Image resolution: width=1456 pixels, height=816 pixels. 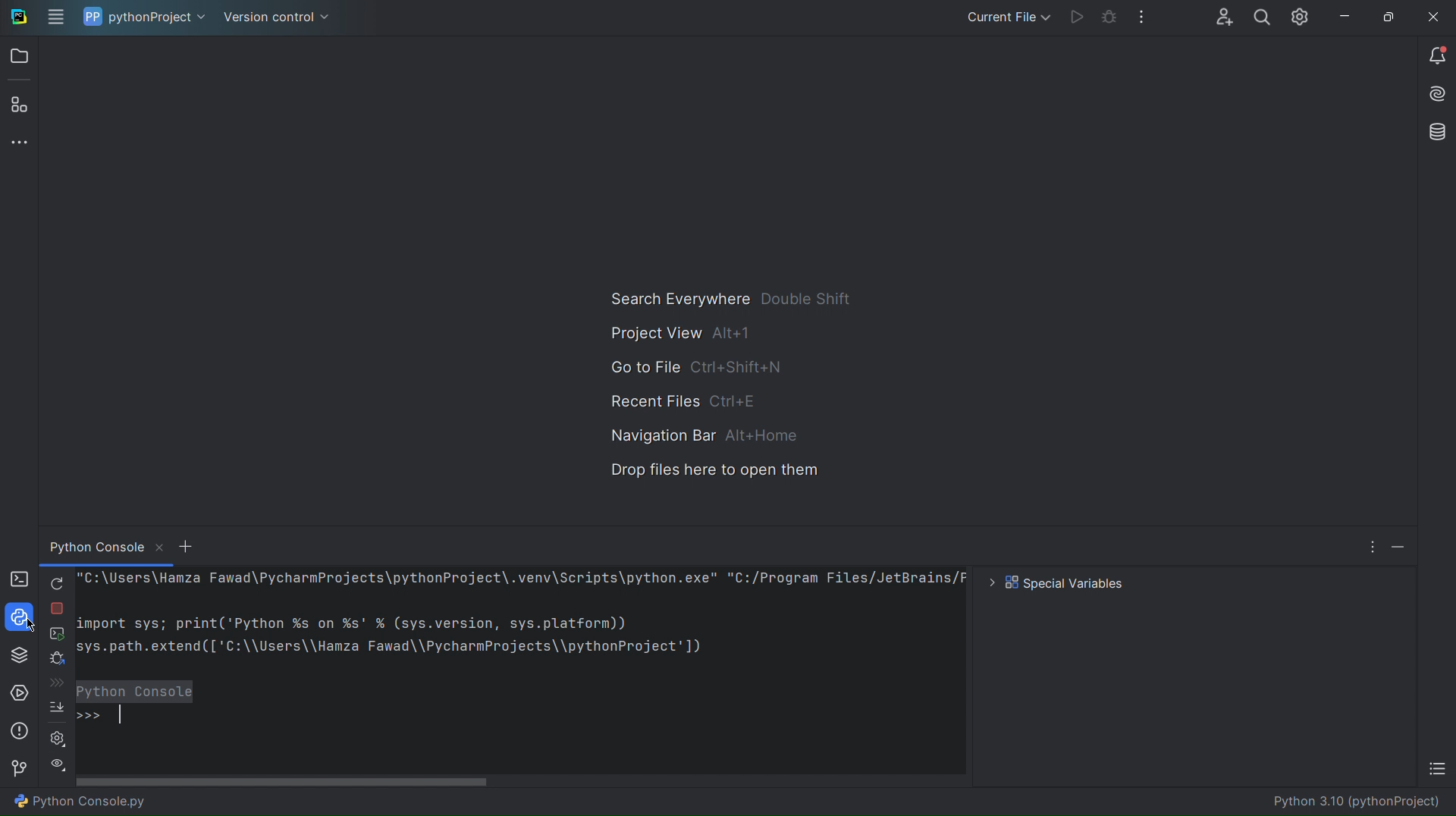 I want to click on Debug , so click(x=56, y=660).